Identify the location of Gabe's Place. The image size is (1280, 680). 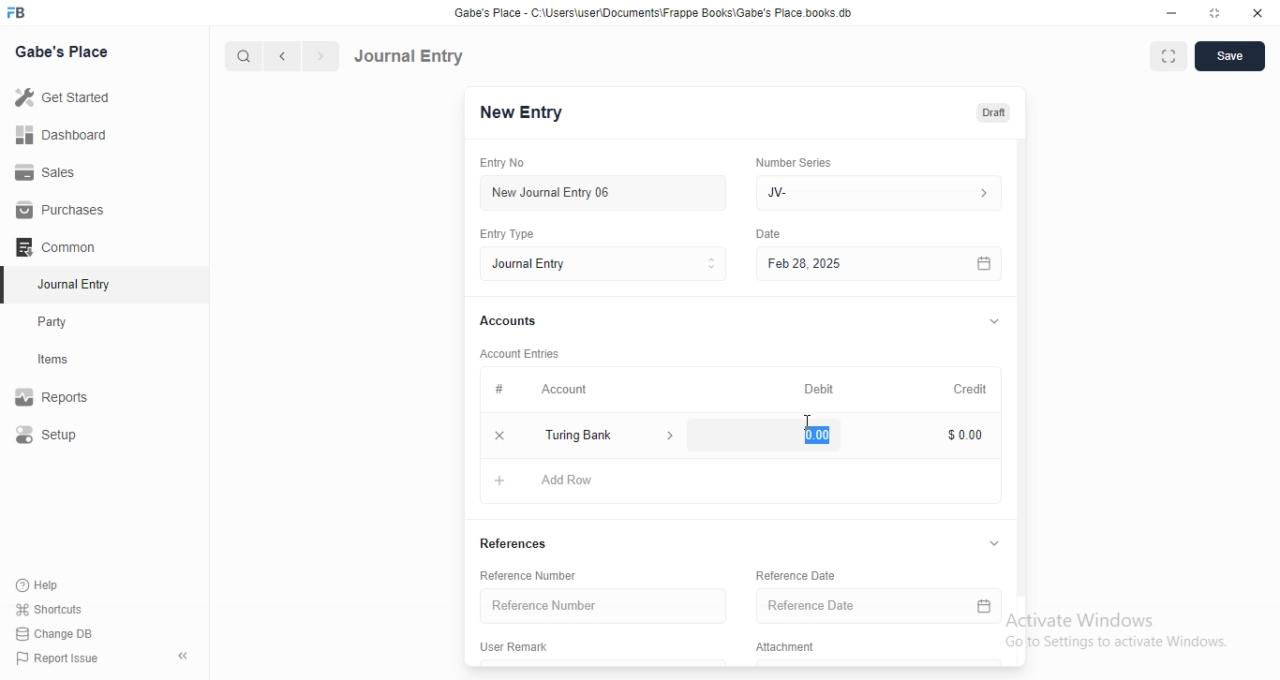
(62, 51).